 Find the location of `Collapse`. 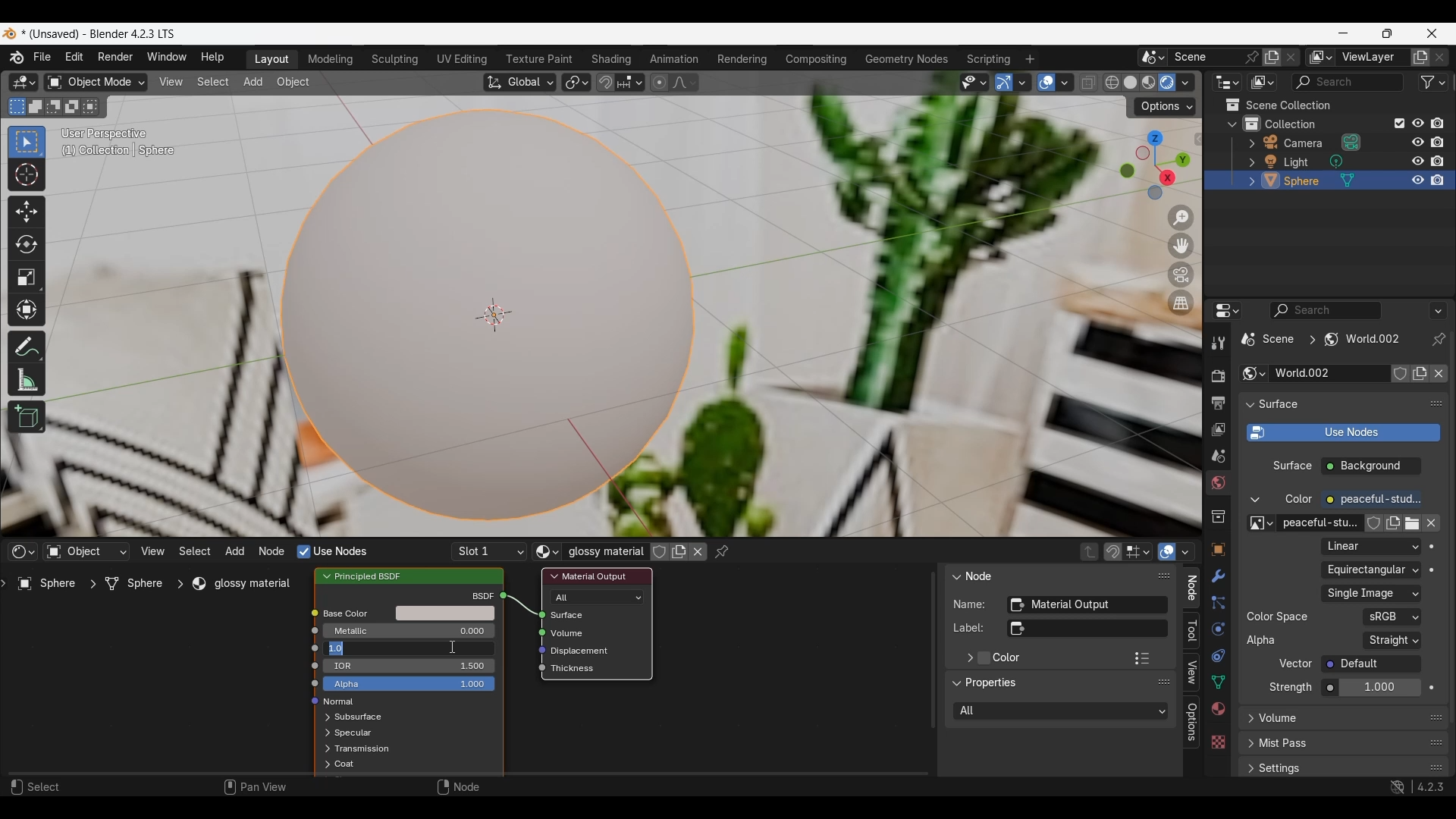

Collapse is located at coordinates (1232, 124).